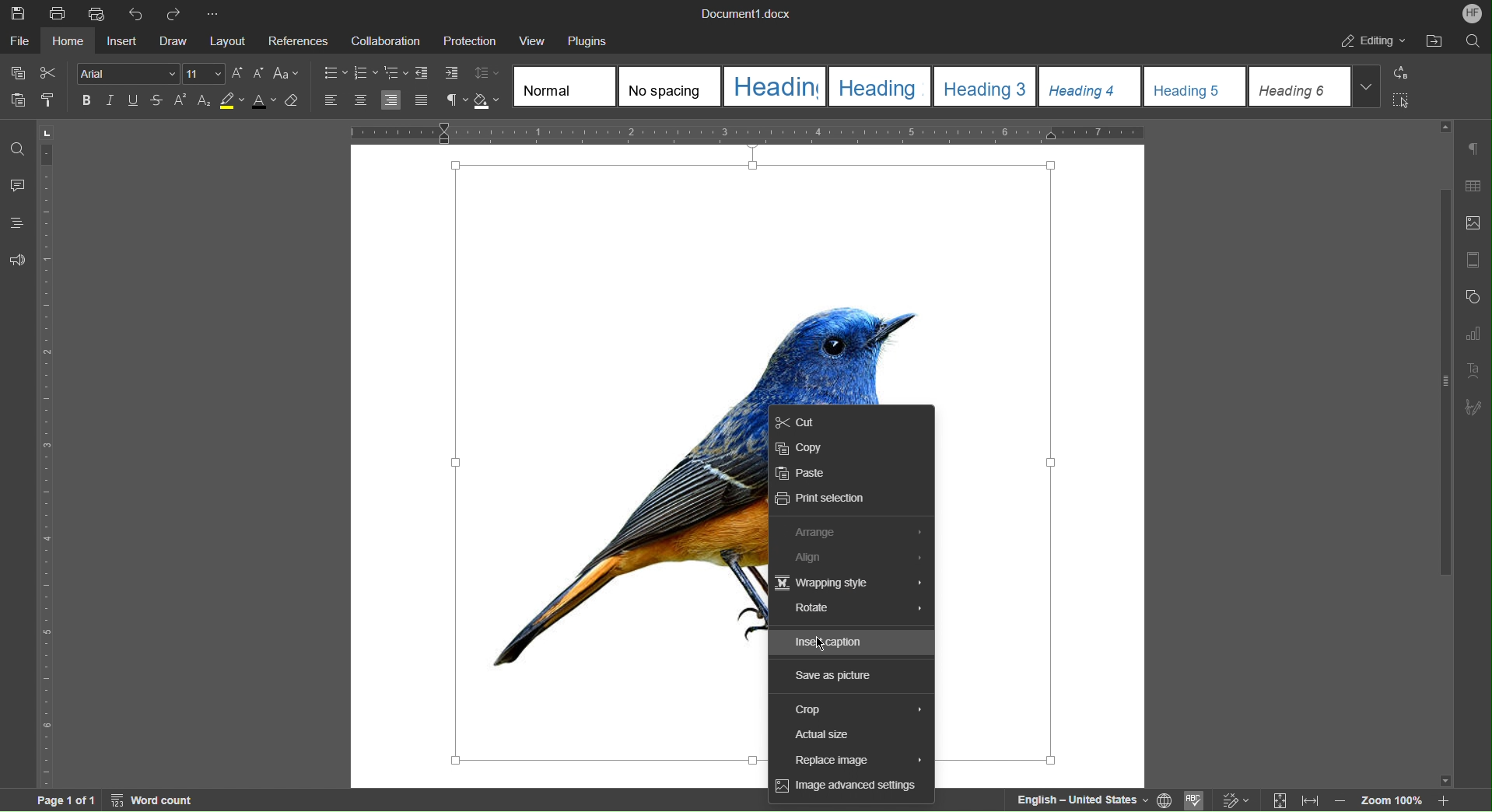  Describe the element at coordinates (1473, 408) in the screenshot. I see `Signature` at that location.